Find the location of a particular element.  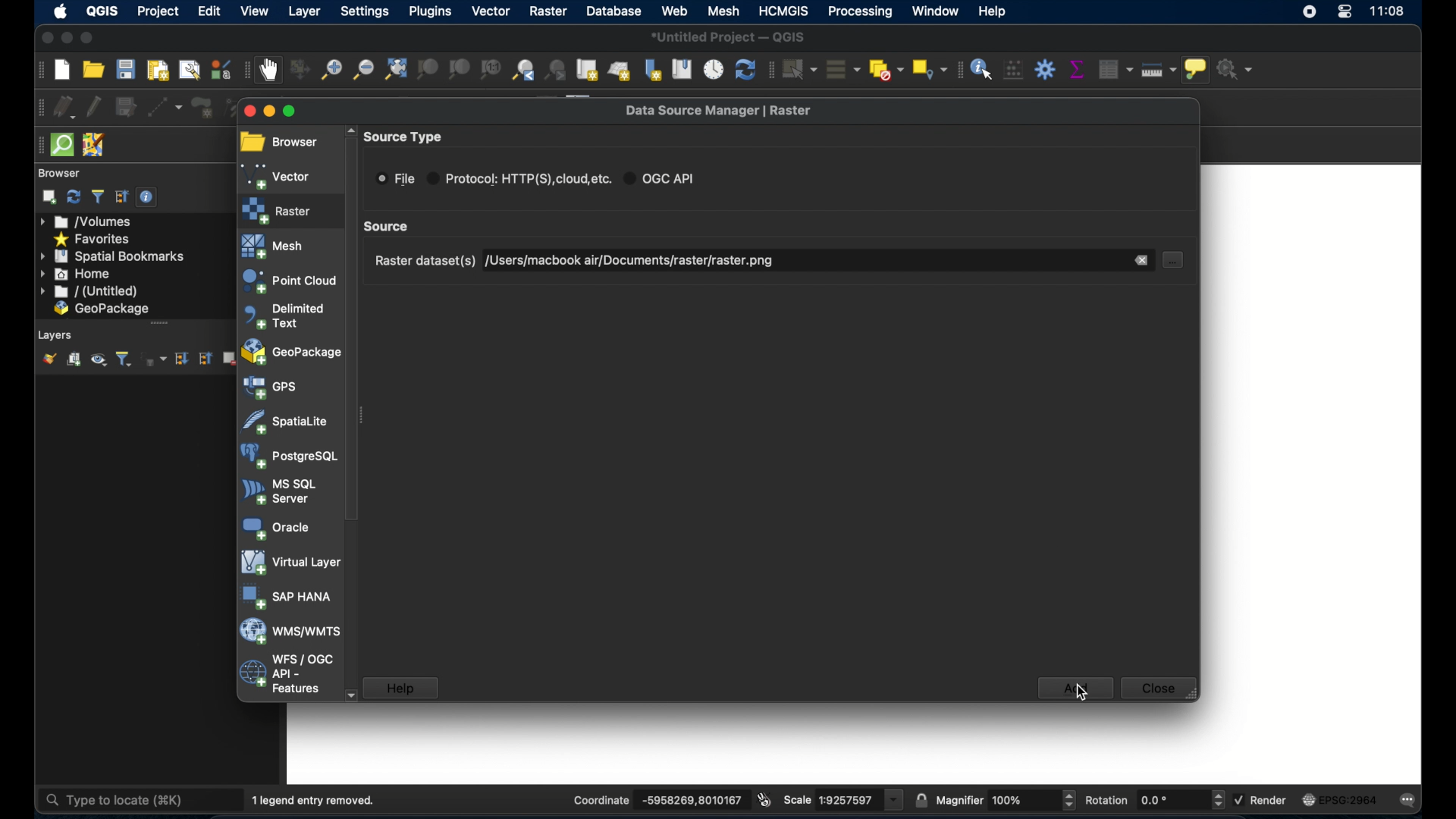

select by location is located at coordinates (927, 69).